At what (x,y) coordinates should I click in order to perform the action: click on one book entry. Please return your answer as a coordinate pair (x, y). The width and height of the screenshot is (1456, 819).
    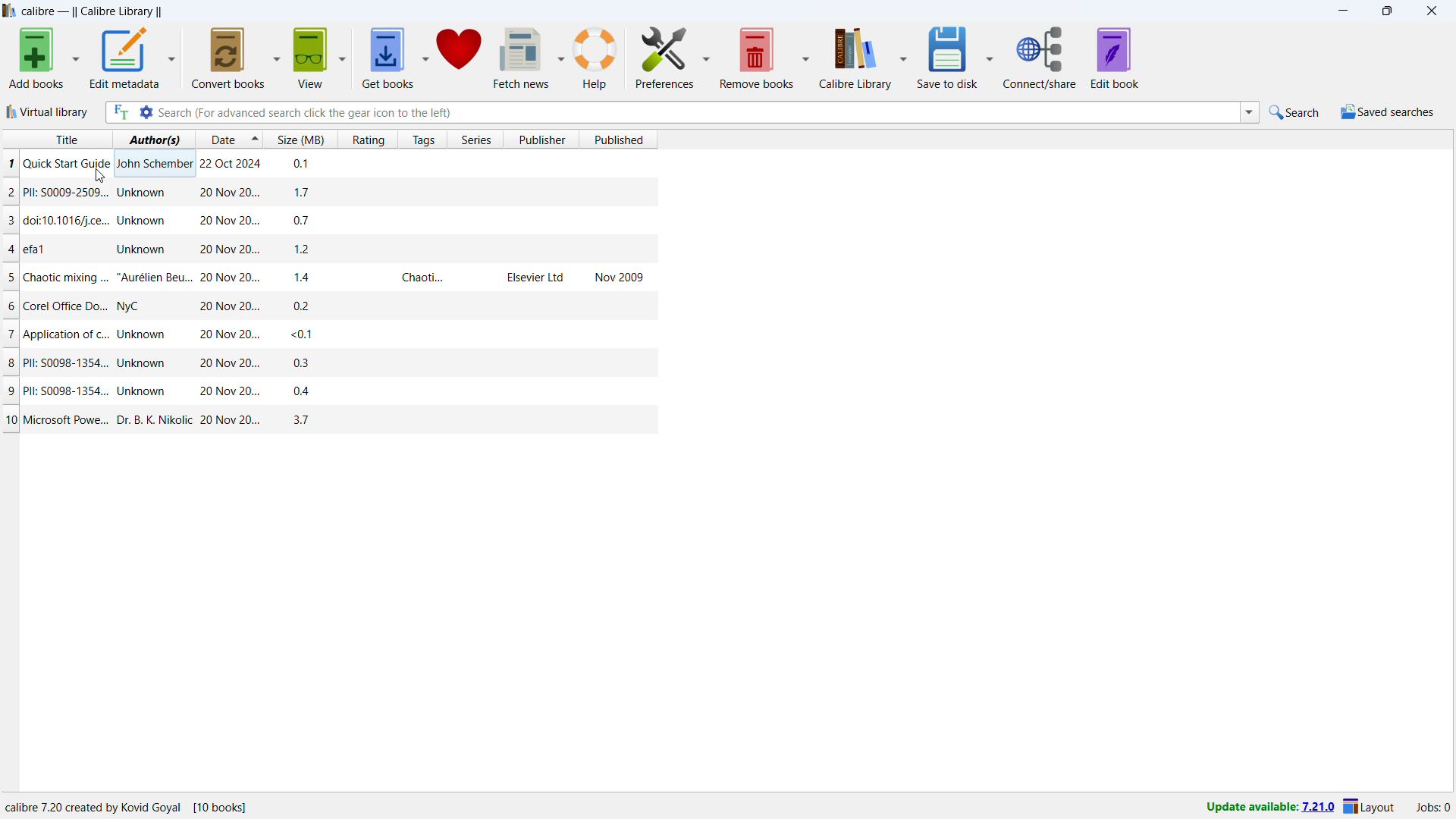
    Looking at the image, I should click on (325, 223).